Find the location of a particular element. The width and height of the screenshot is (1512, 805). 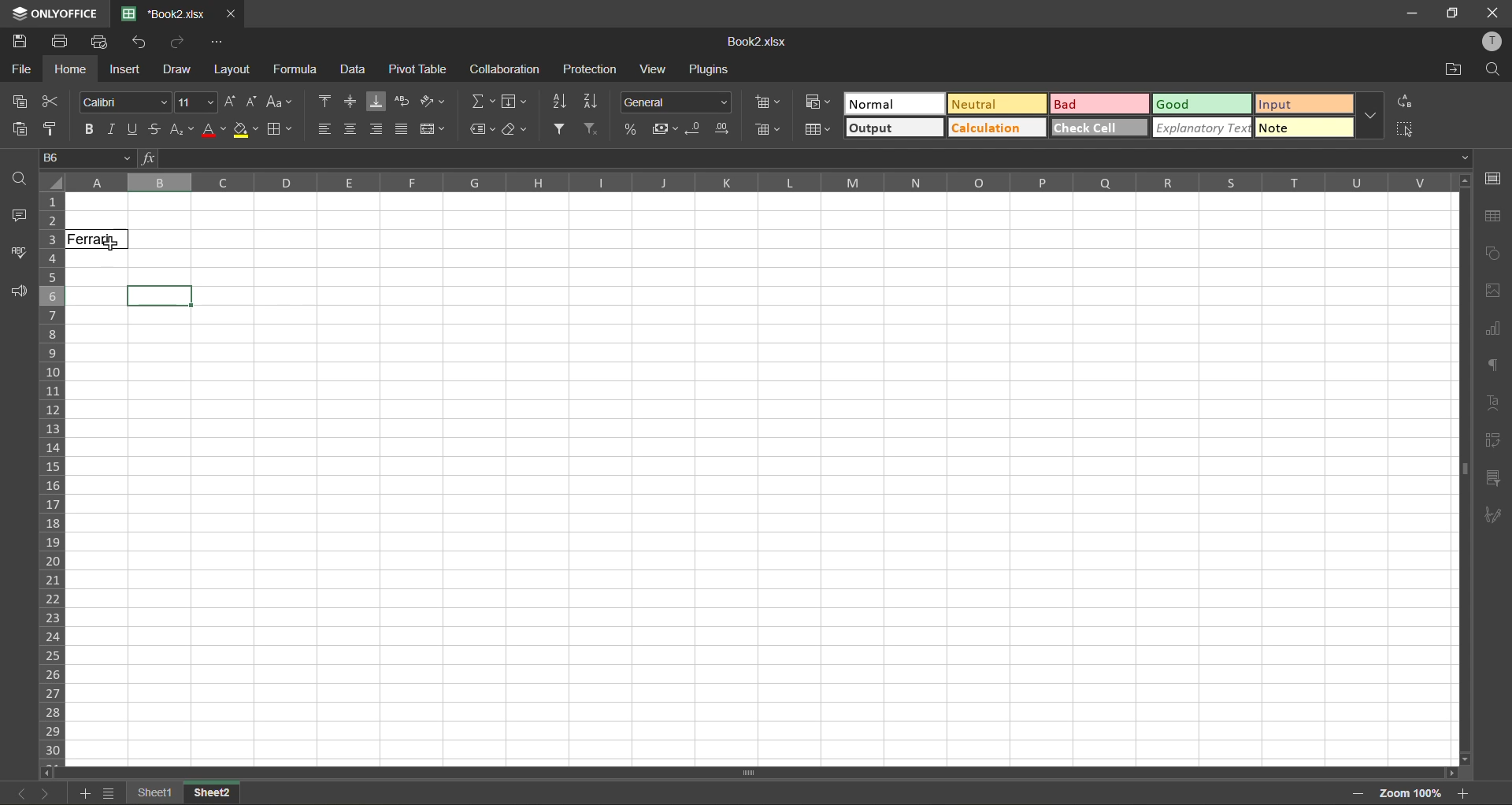

neutral is located at coordinates (996, 103).